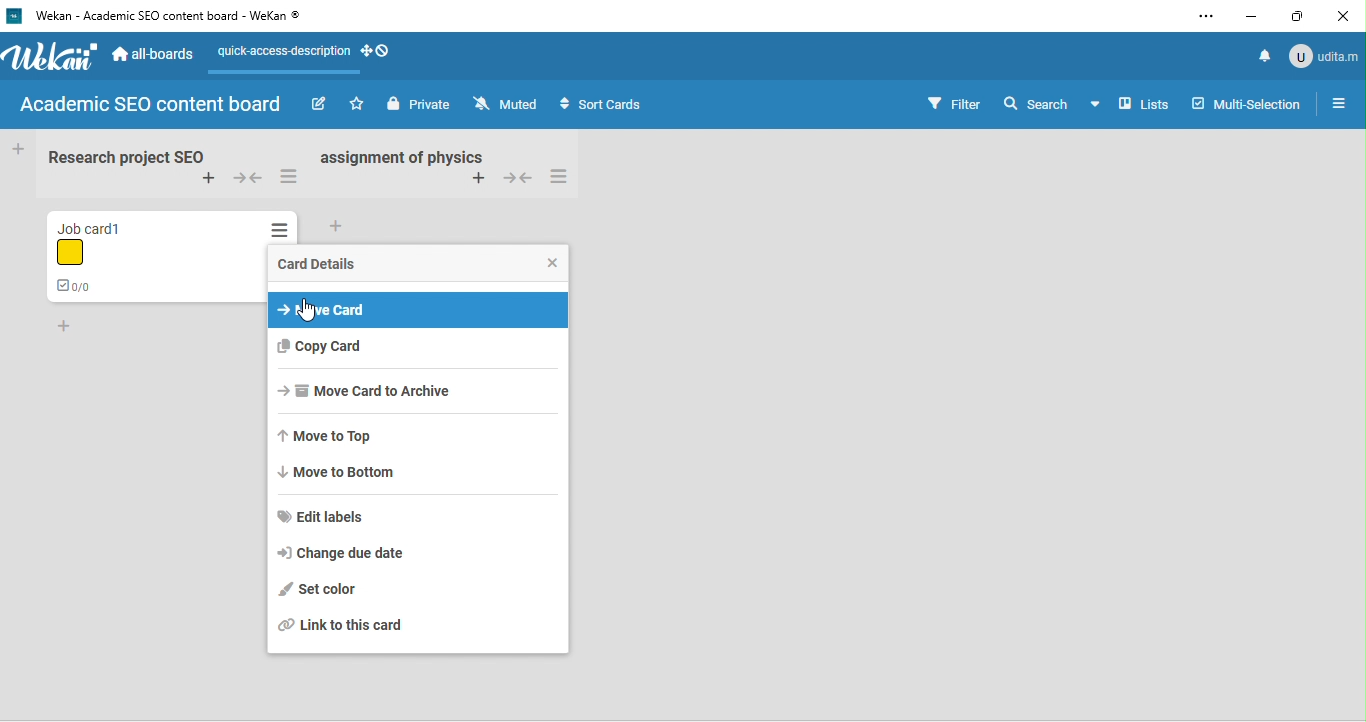 The width and height of the screenshot is (1366, 722). Describe the element at coordinates (245, 178) in the screenshot. I see `collapse` at that location.